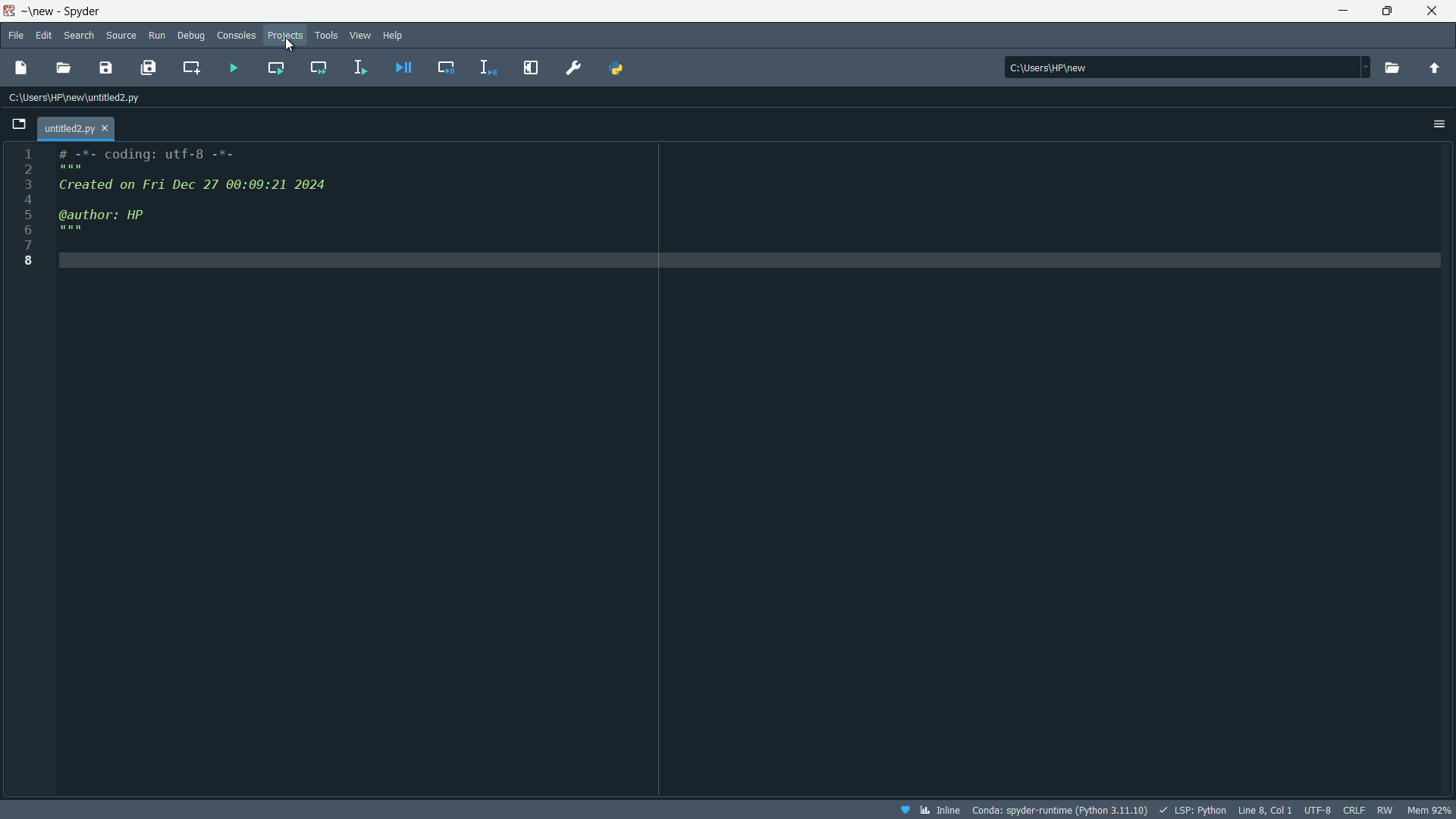 Image resolution: width=1456 pixels, height=819 pixels. I want to click on Save file (Ctrl + S), so click(107, 68).